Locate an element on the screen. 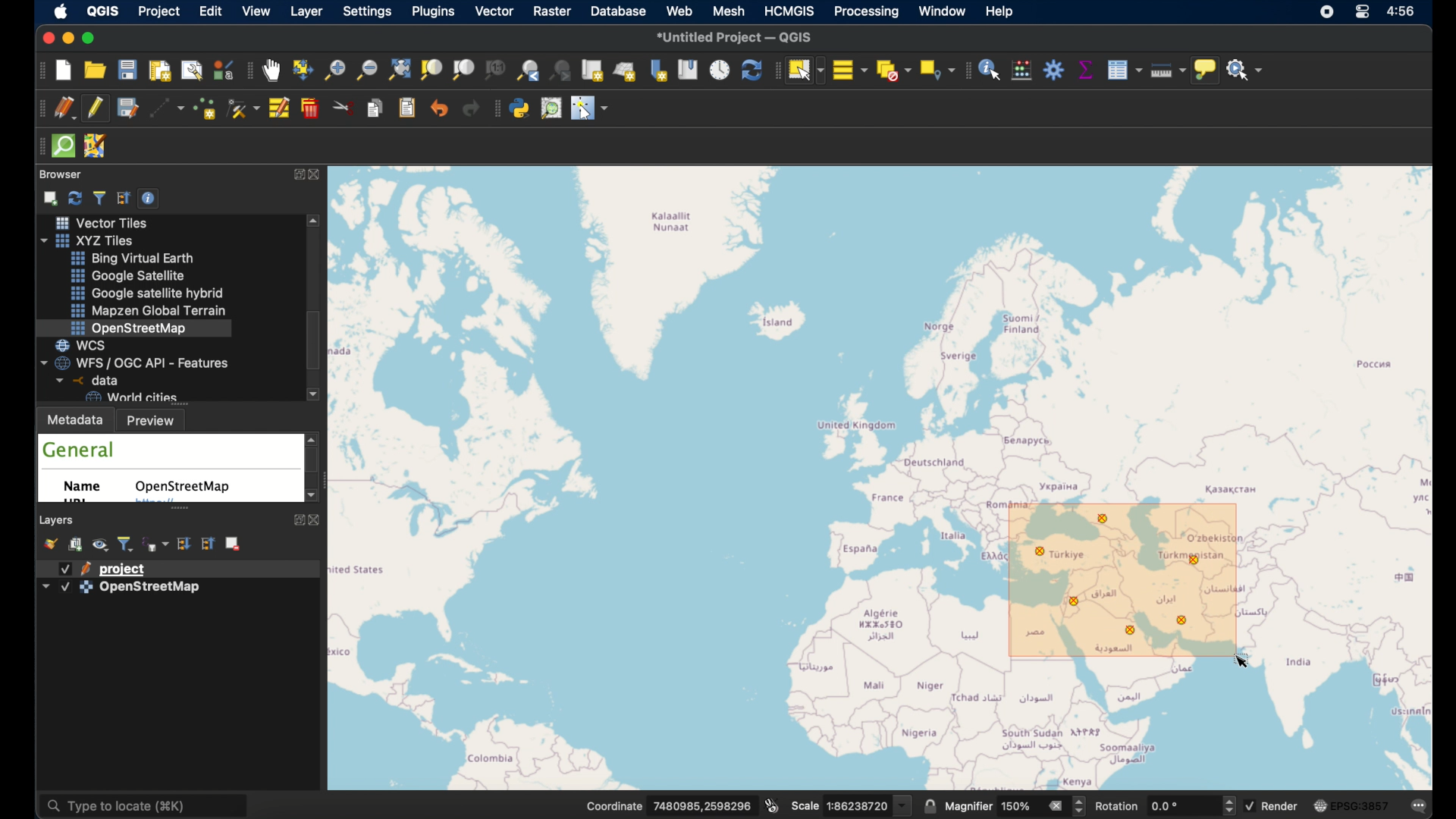  filter legend is located at coordinates (127, 544).